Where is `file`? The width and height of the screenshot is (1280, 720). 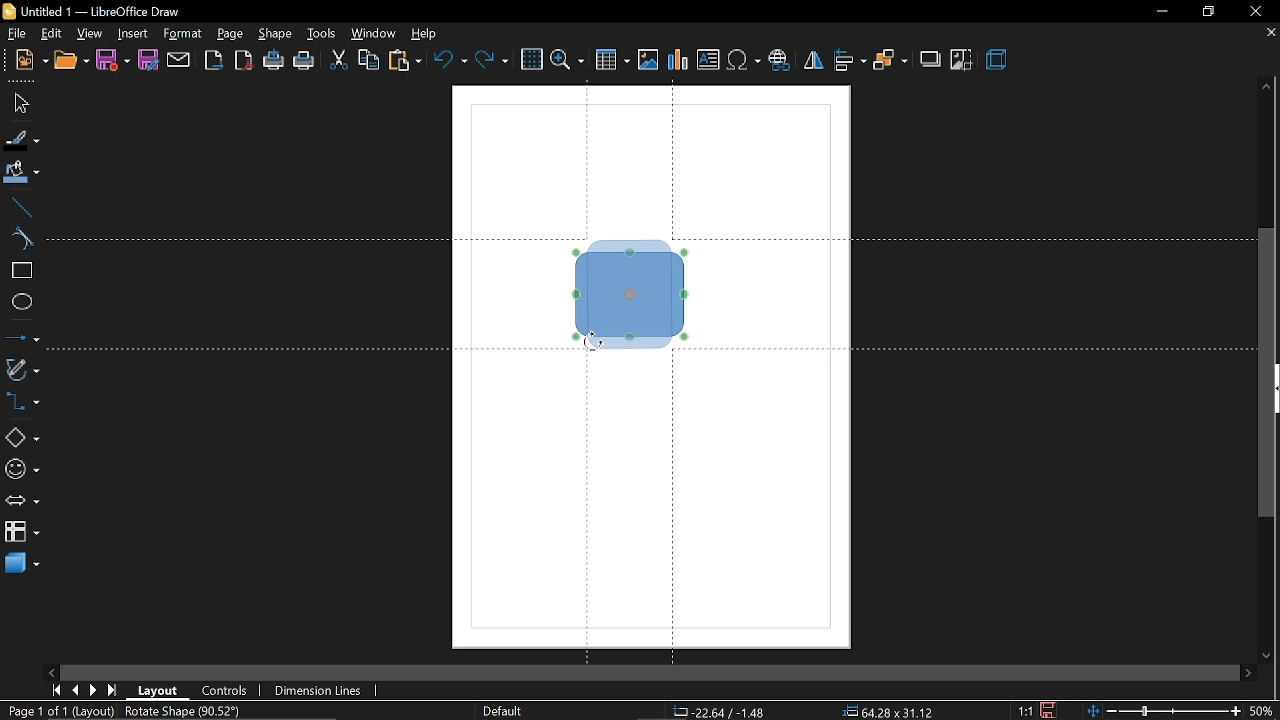 file is located at coordinates (19, 34).